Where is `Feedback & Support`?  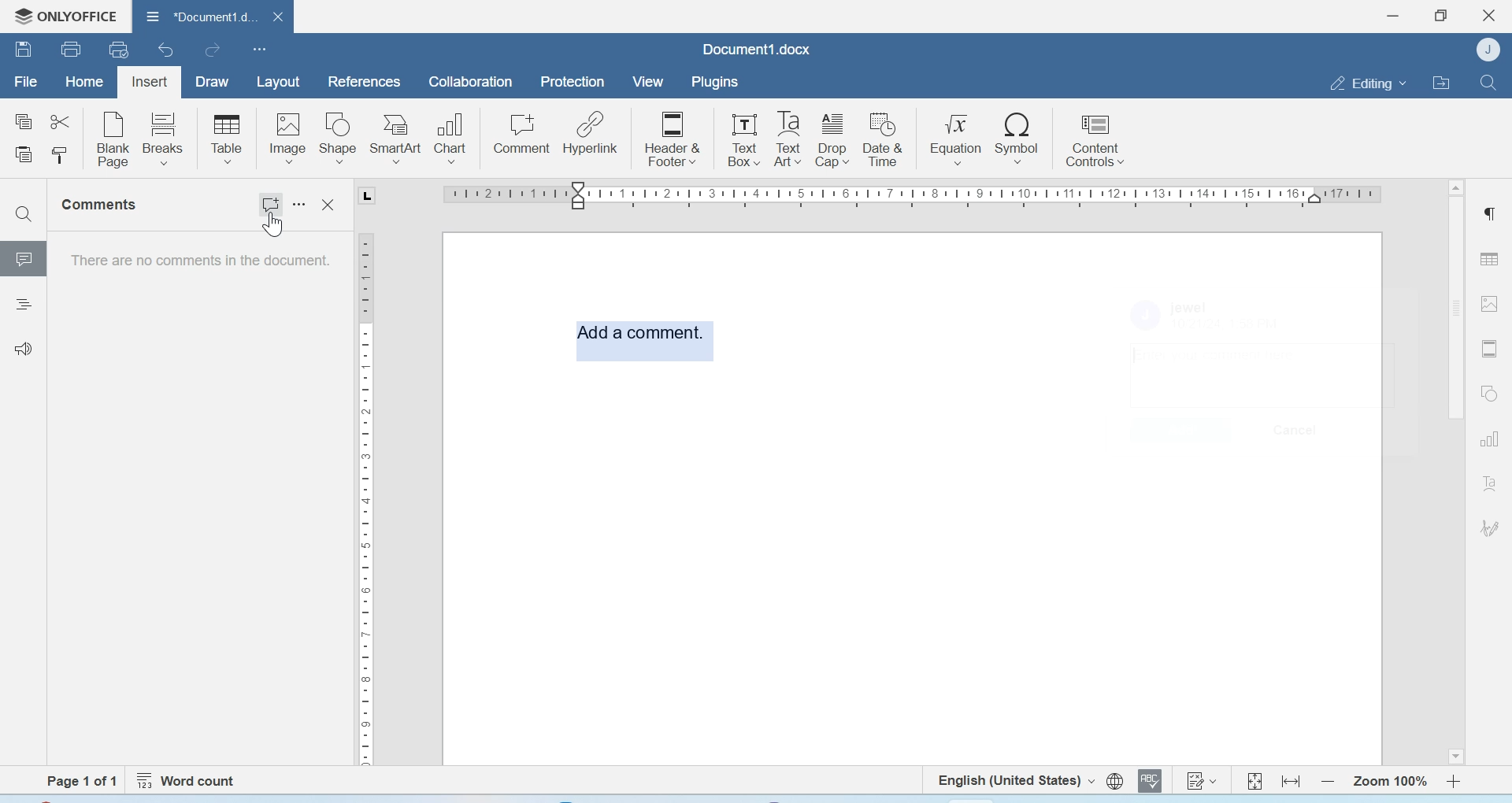 Feedback & Support is located at coordinates (24, 348).